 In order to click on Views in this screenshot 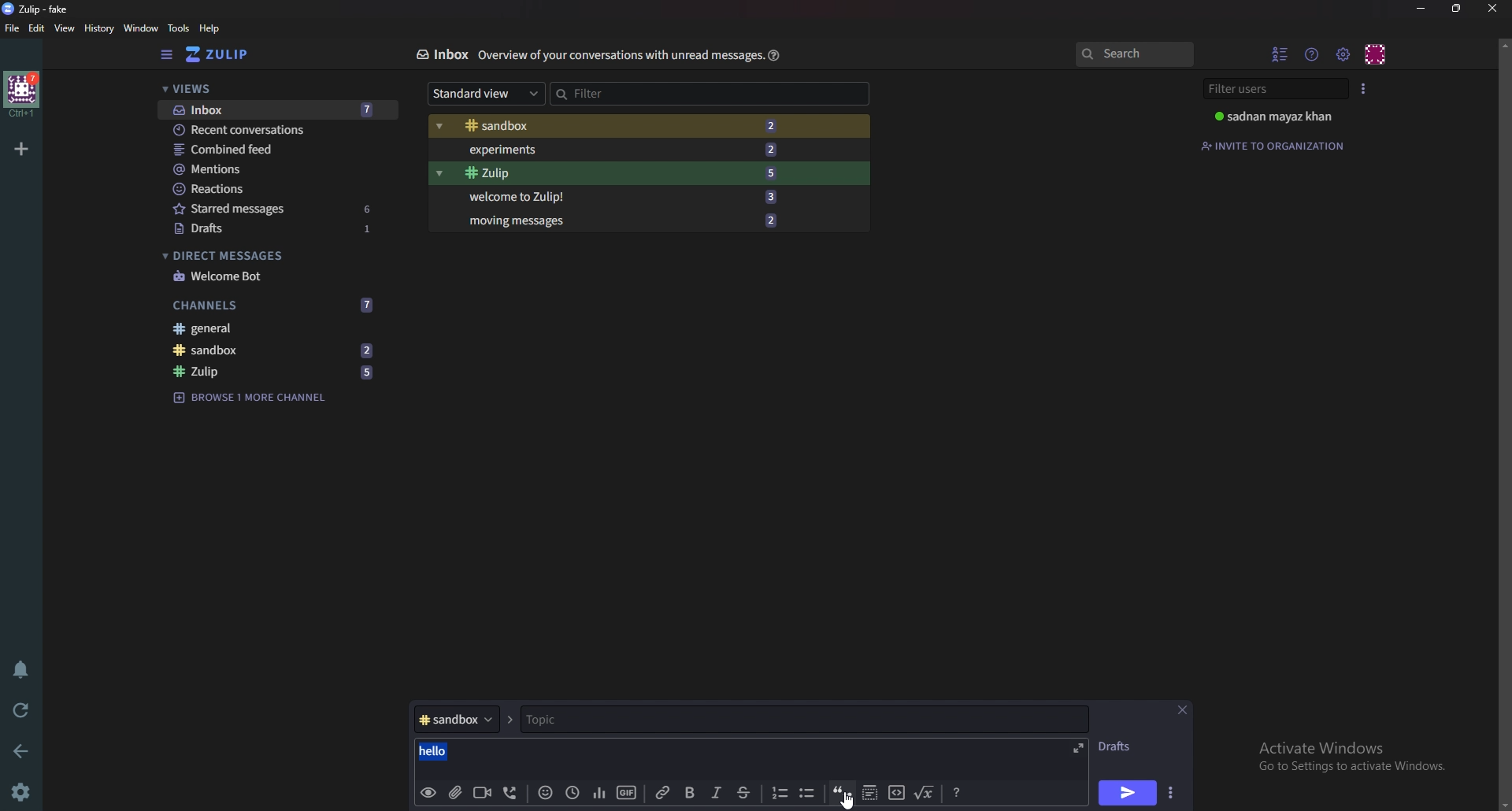, I will do `click(267, 89)`.